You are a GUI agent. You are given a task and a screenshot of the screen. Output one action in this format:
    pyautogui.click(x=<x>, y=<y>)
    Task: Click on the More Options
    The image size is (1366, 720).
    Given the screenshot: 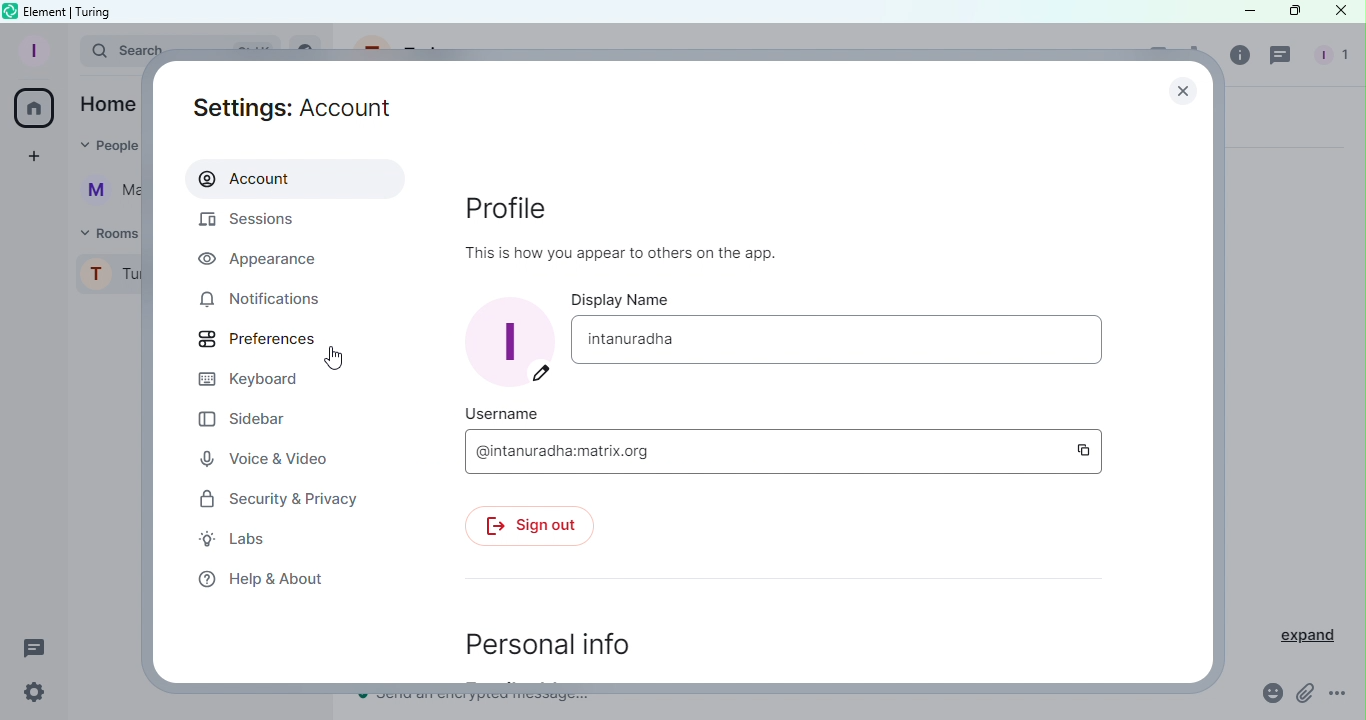 What is the action you would take?
    pyautogui.click(x=1340, y=694)
    